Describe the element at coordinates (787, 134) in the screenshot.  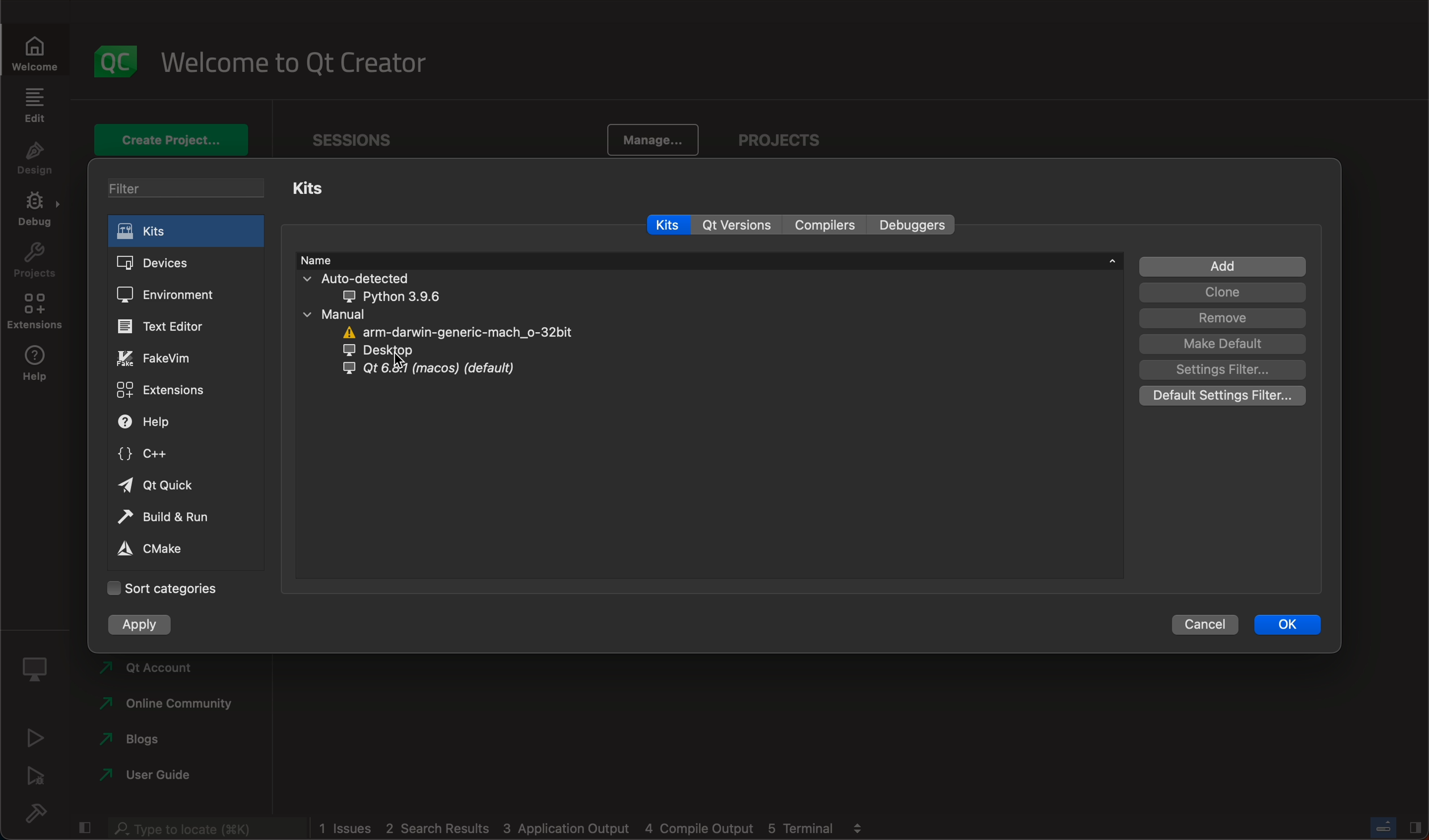
I see `project` at that location.